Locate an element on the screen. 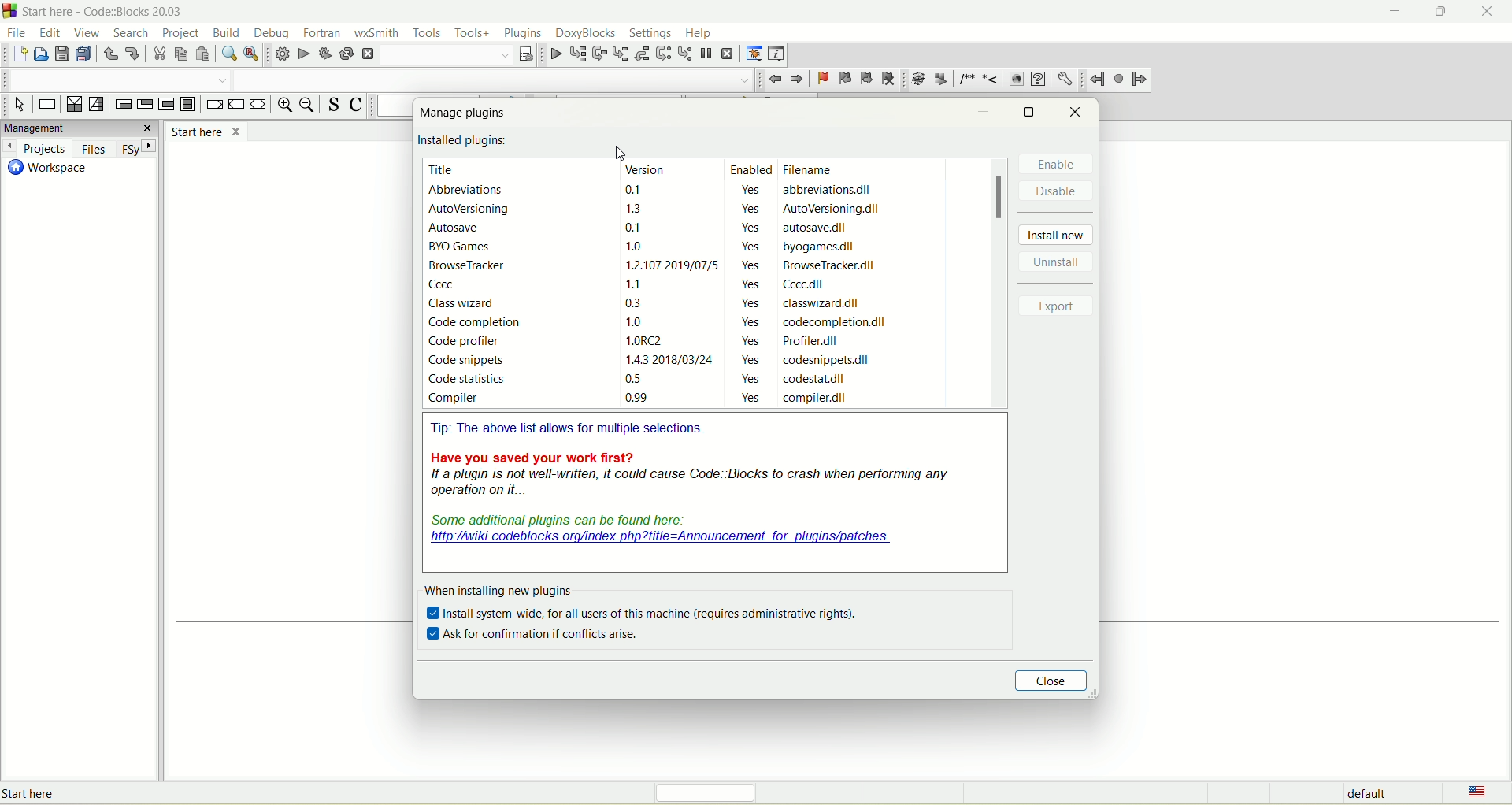 The height and width of the screenshot is (805, 1512). managements is located at coordinates (79, 128).